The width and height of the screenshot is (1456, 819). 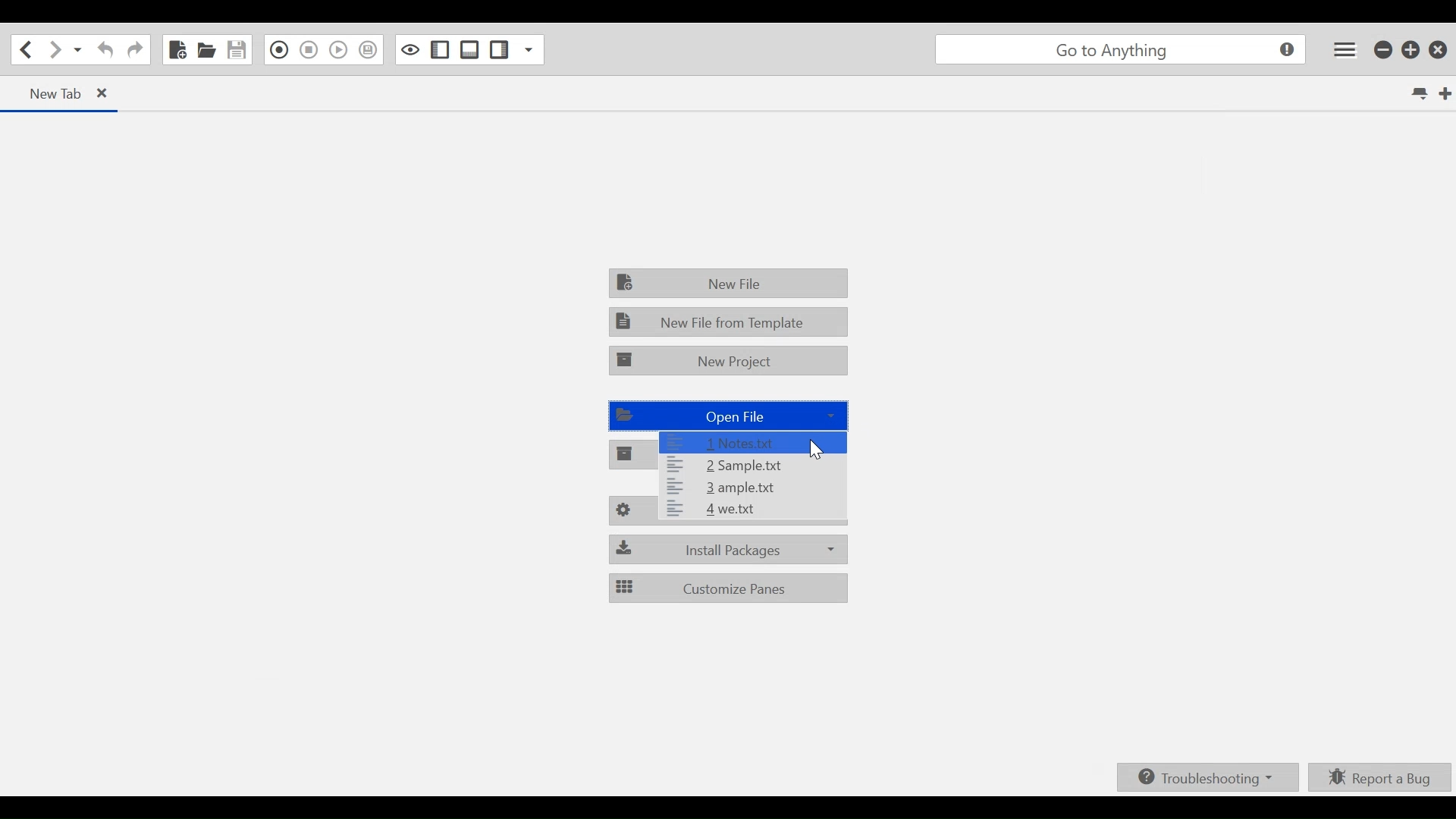 I want to click on Show/Hide Right pane, so click(x=441, y=49).